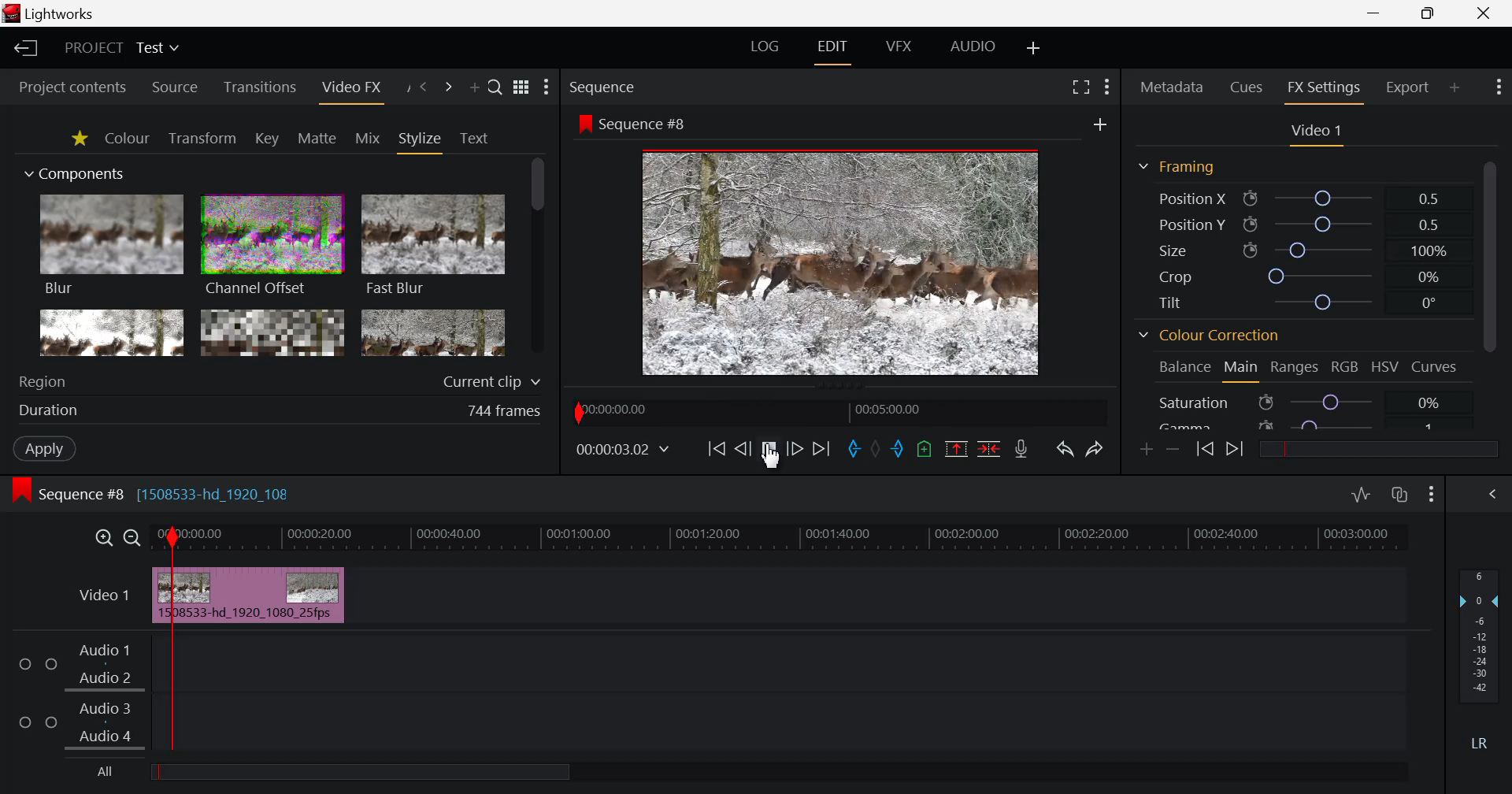 This screenshot has height=794, width=1512. What do you see at coordinates (1409, 87) in the screenshot?
I see `Export` at bounding box center [1409, 87].